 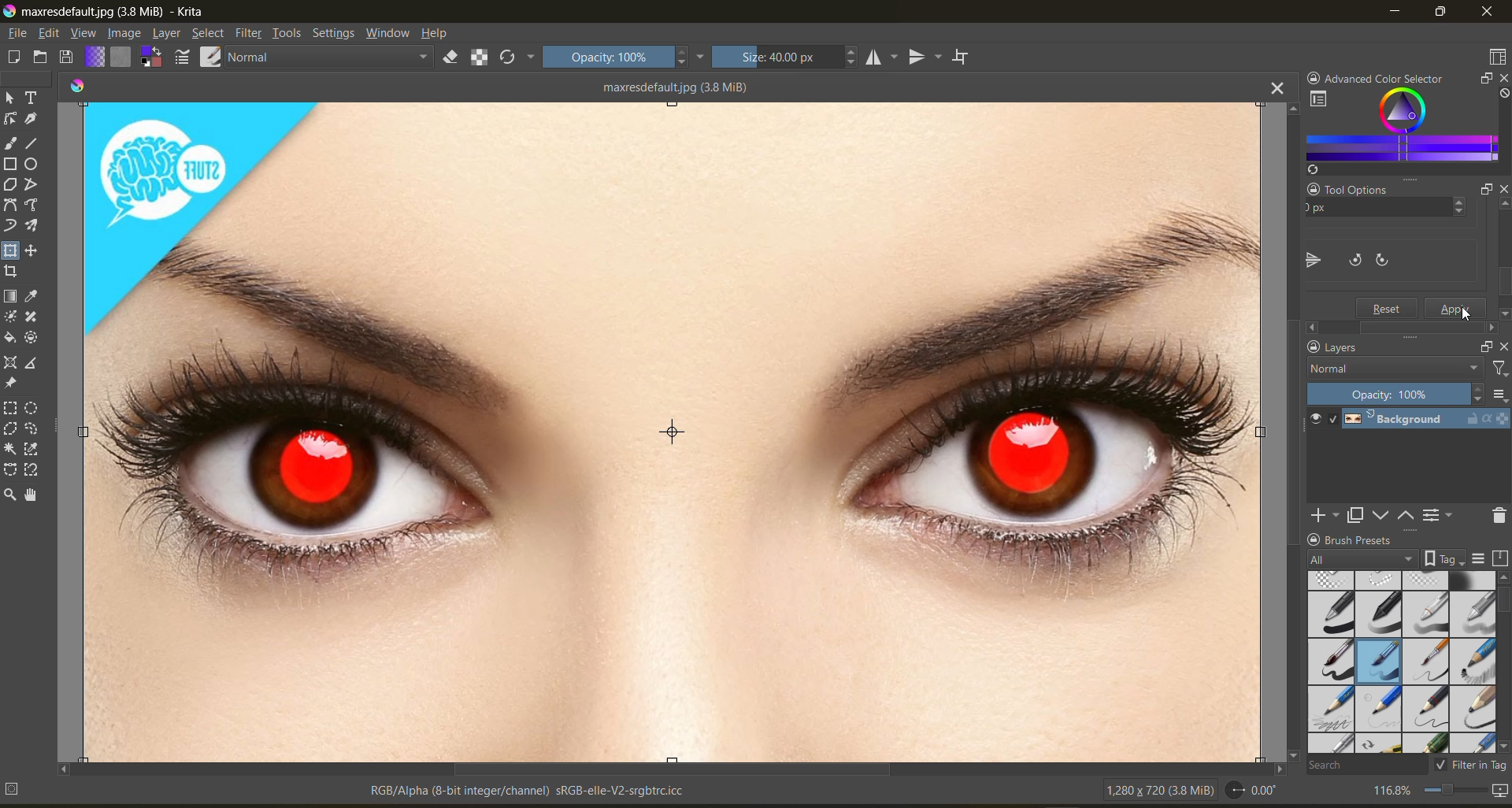 I want to click on mask down, so click(x=1384, y=513).